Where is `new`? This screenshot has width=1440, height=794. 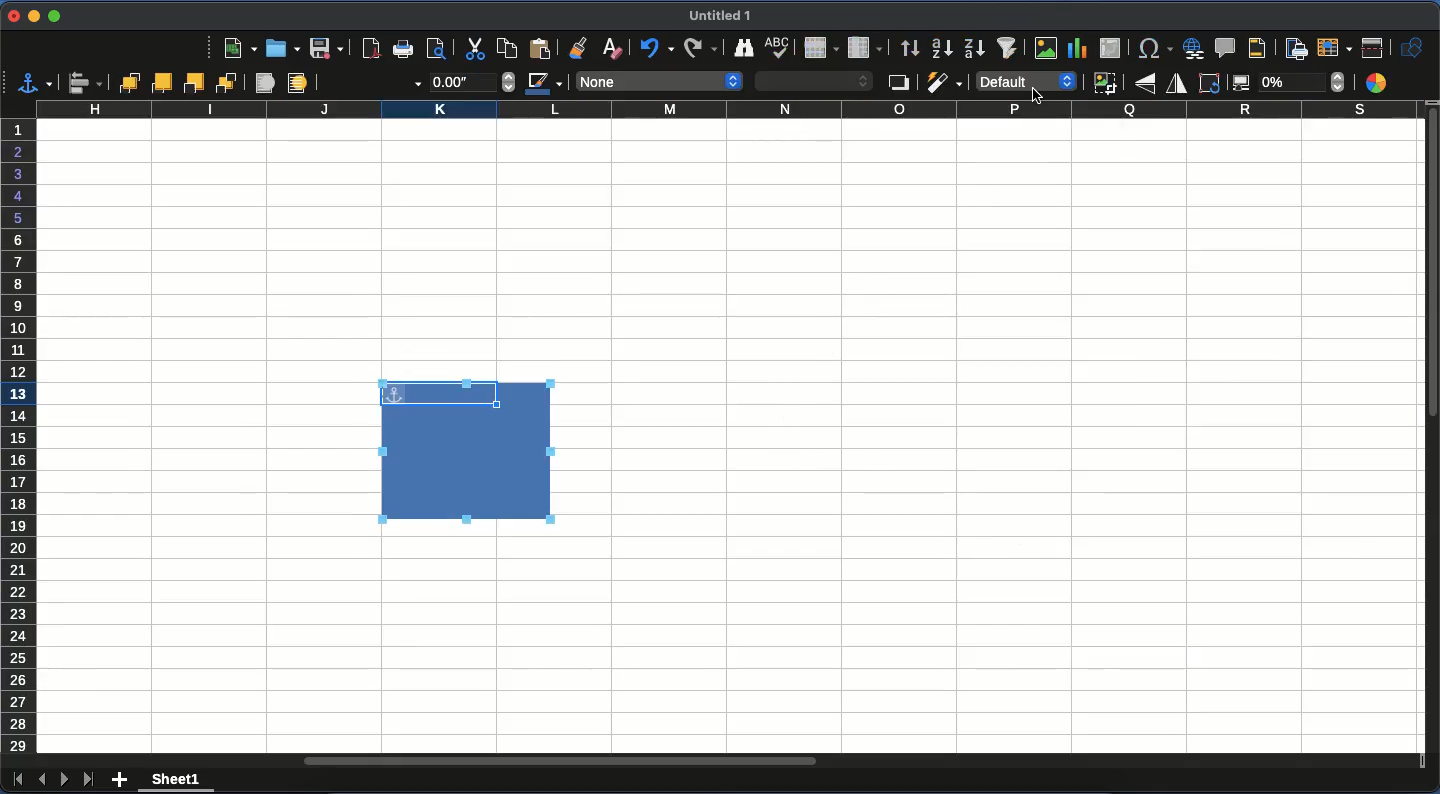
new is located at coordinates (239, 49).